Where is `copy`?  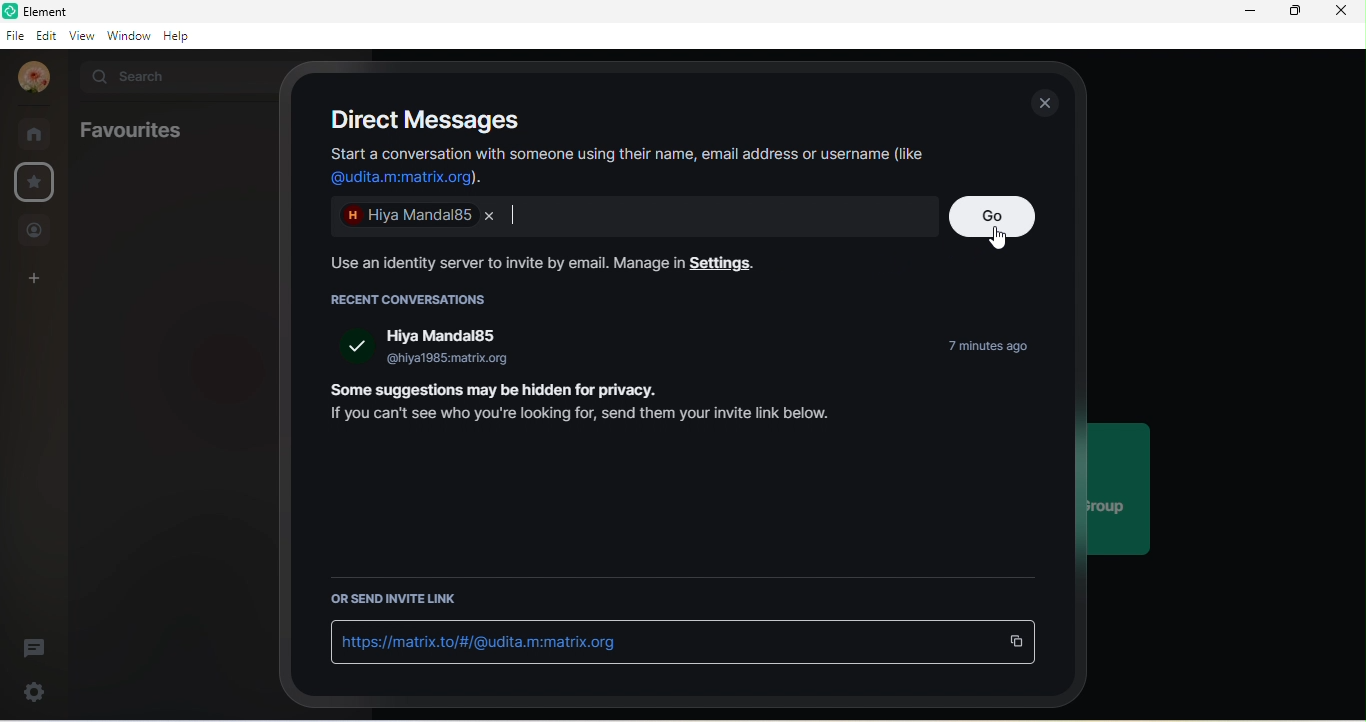 copy is located at coordinates (1017, 642).